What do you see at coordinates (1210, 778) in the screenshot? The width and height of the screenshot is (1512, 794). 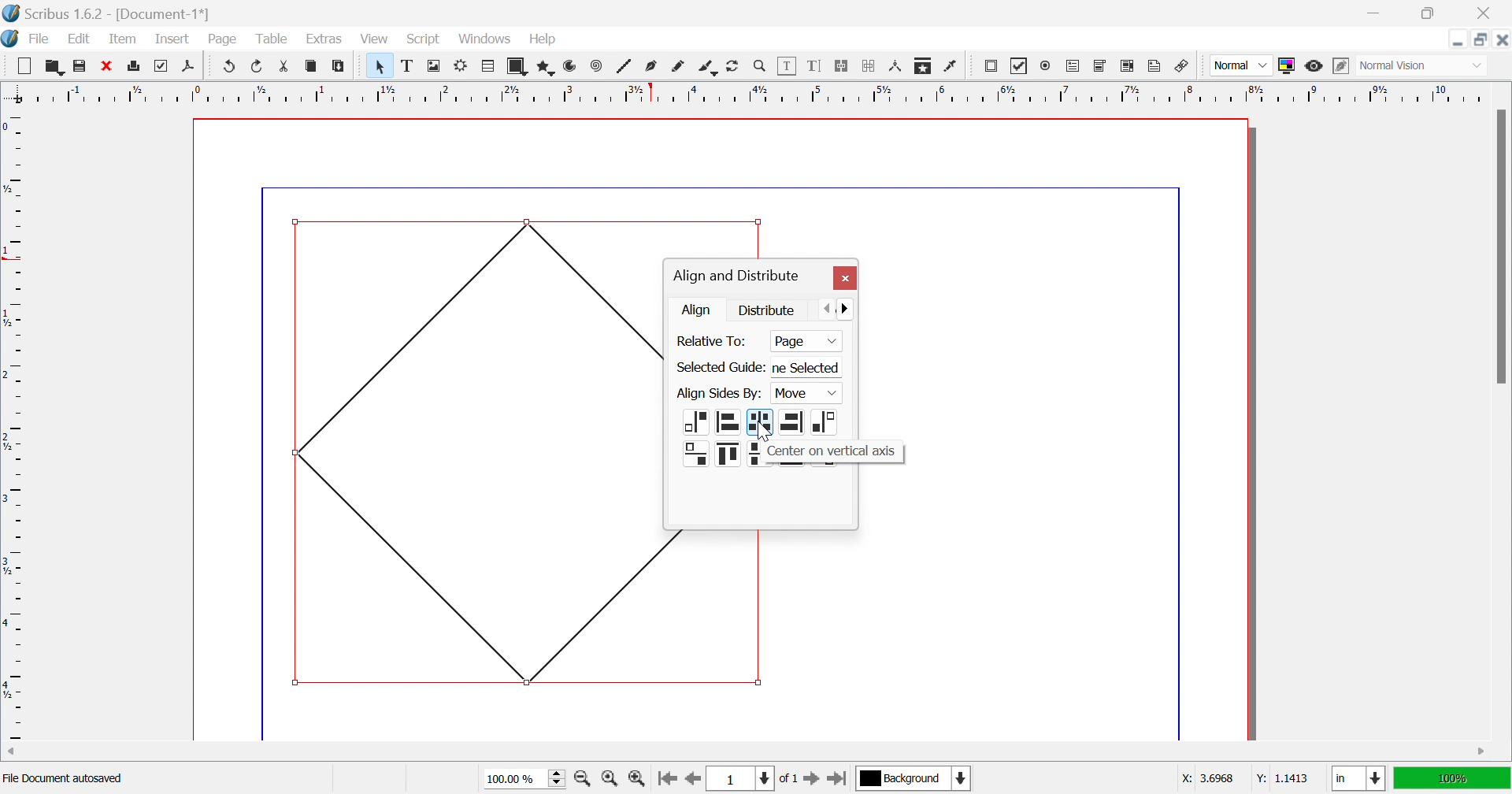 I see `x: 3.6968` at bounding box center [1210, 778].